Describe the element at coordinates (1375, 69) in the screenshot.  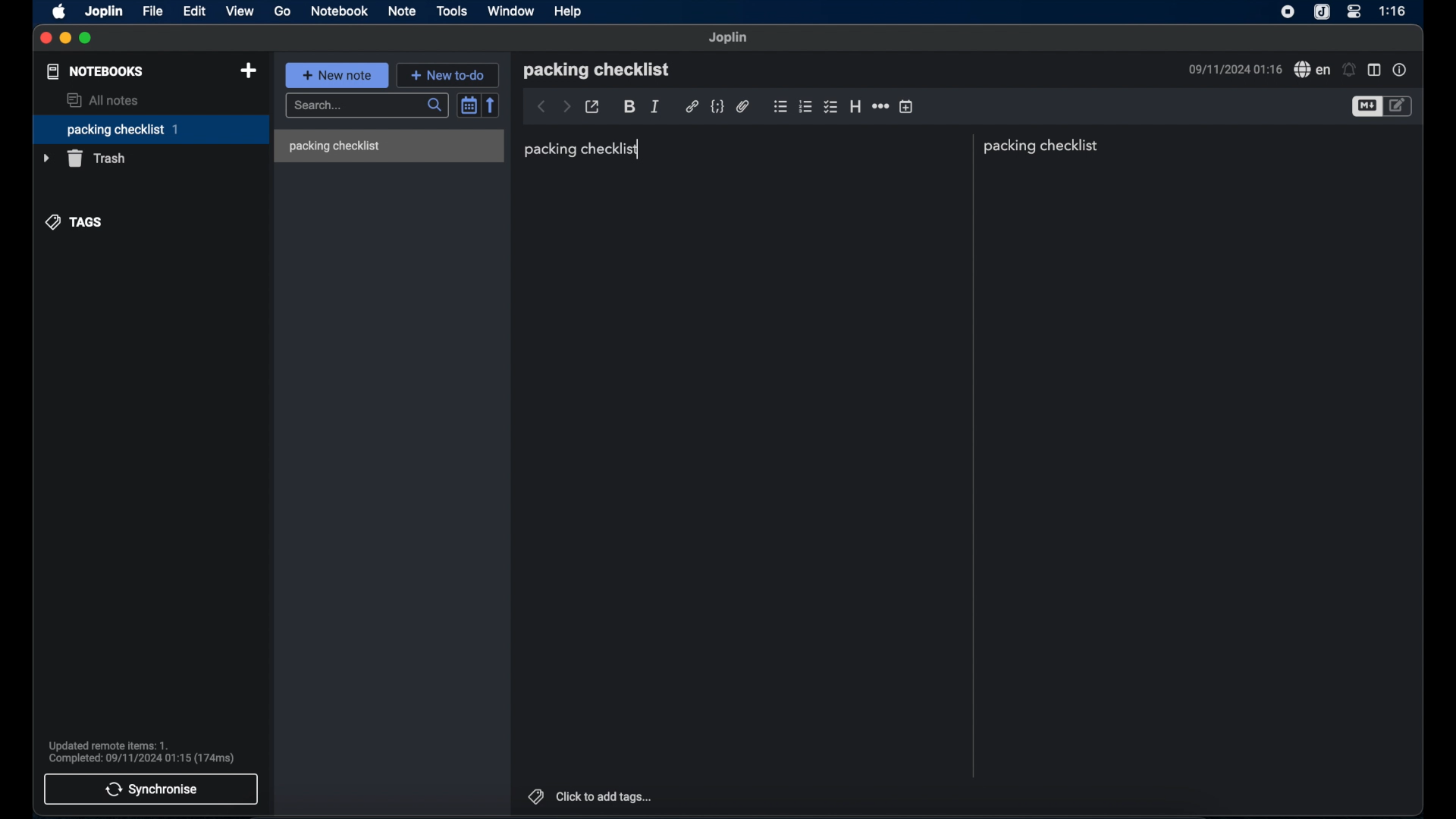
I see `toggle editor layout` at that location.